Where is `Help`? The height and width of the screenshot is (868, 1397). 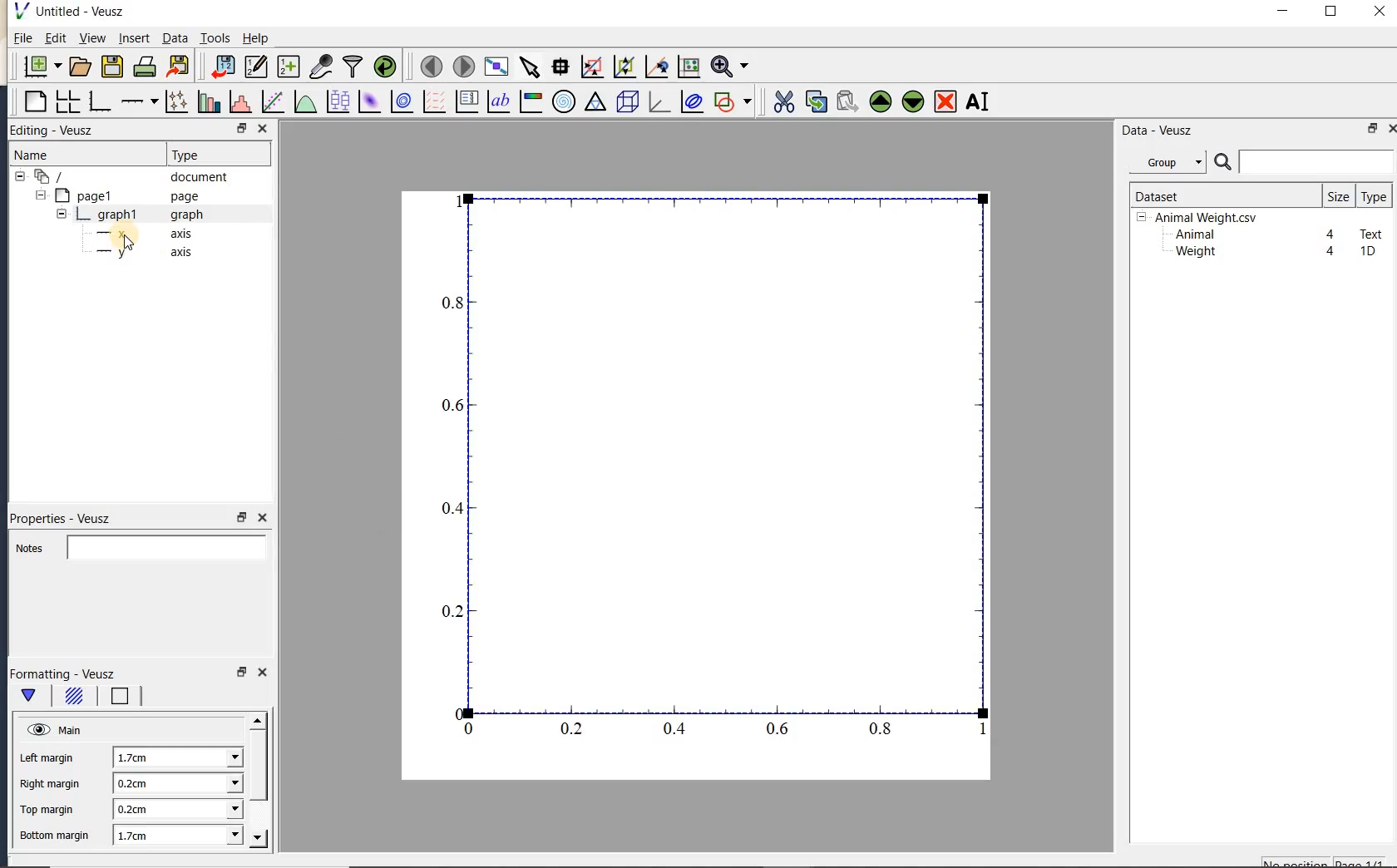
Help is located at coordinates (255, 38).